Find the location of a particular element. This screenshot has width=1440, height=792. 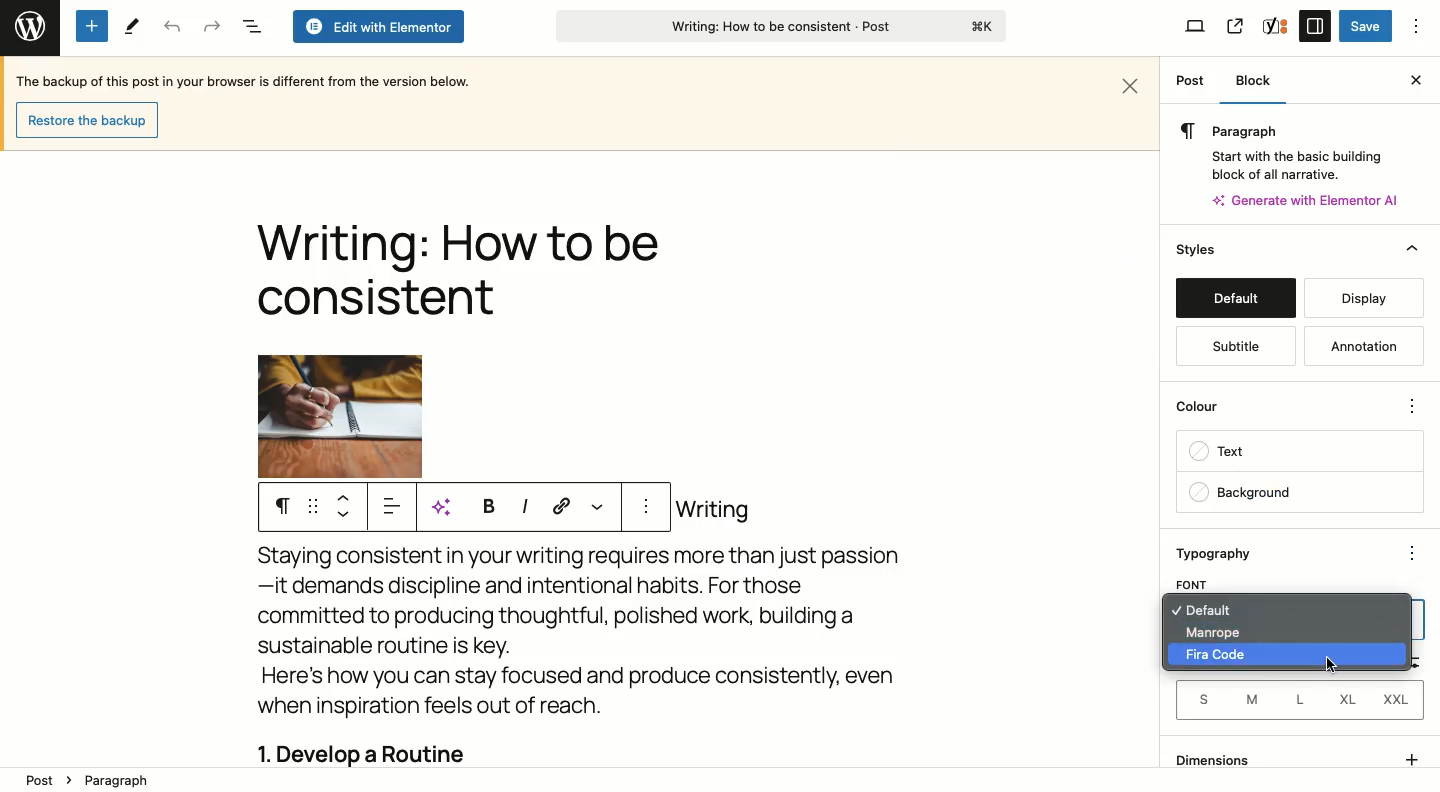

Body is located at coordinates (594, 634).